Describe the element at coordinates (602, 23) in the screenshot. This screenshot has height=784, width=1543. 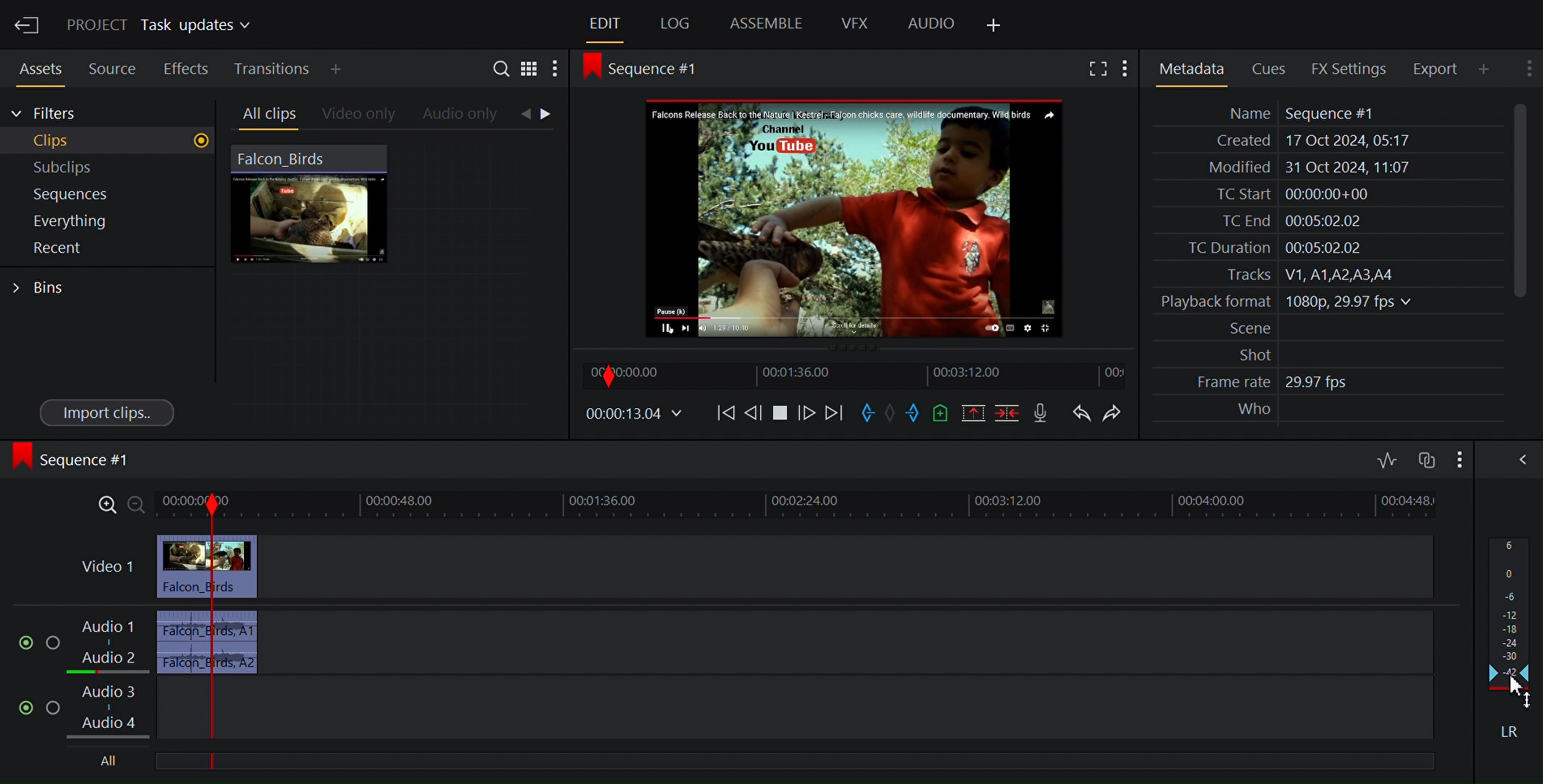
I see `Edit` at that location.